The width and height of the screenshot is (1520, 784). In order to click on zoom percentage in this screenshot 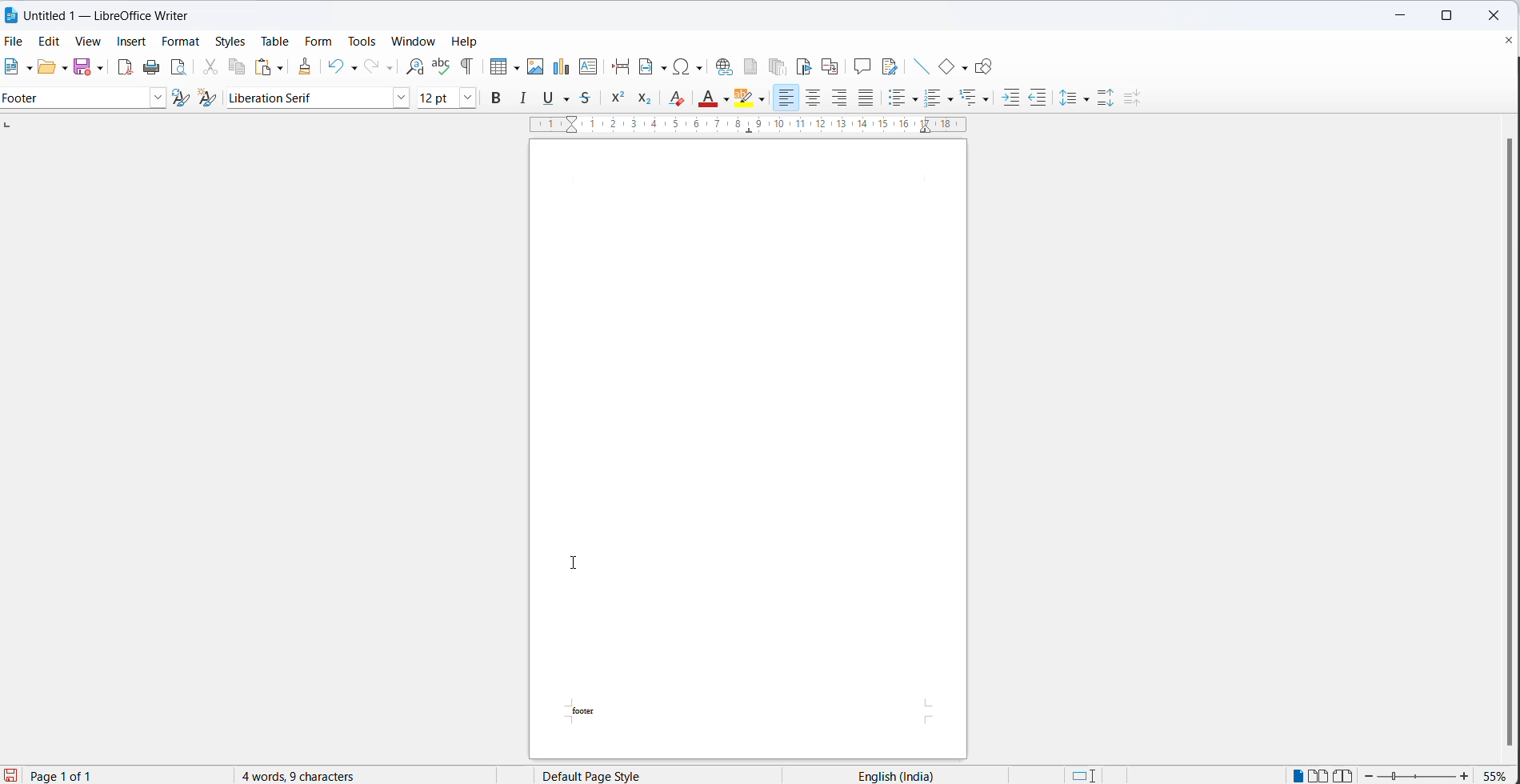, I will do `click(1498, 774)`.